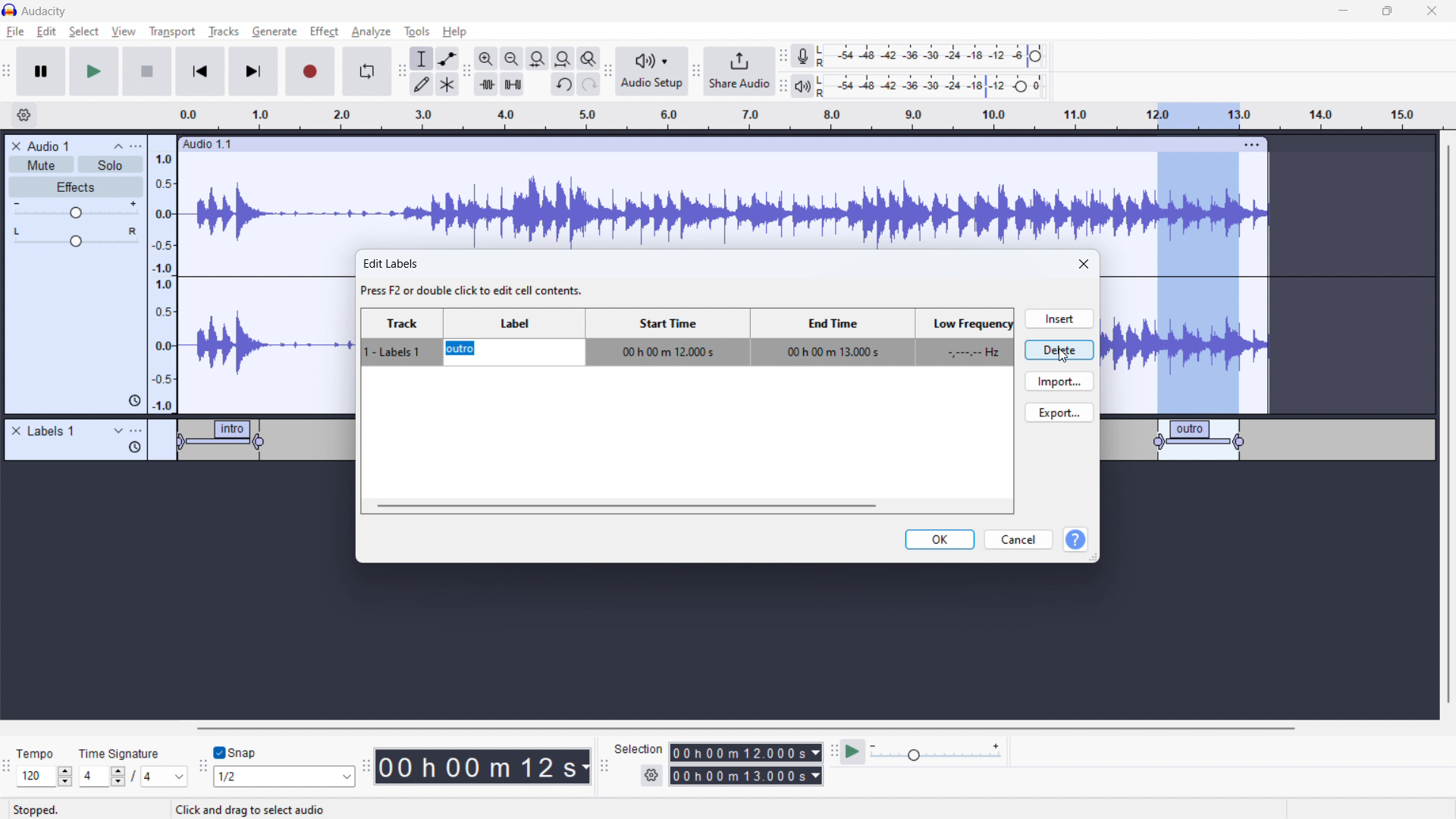 The width and height of the screenshot is (1456, 819). Describe the element at coordinates (563, 86) in the screenshot. I see `undo` at that location.